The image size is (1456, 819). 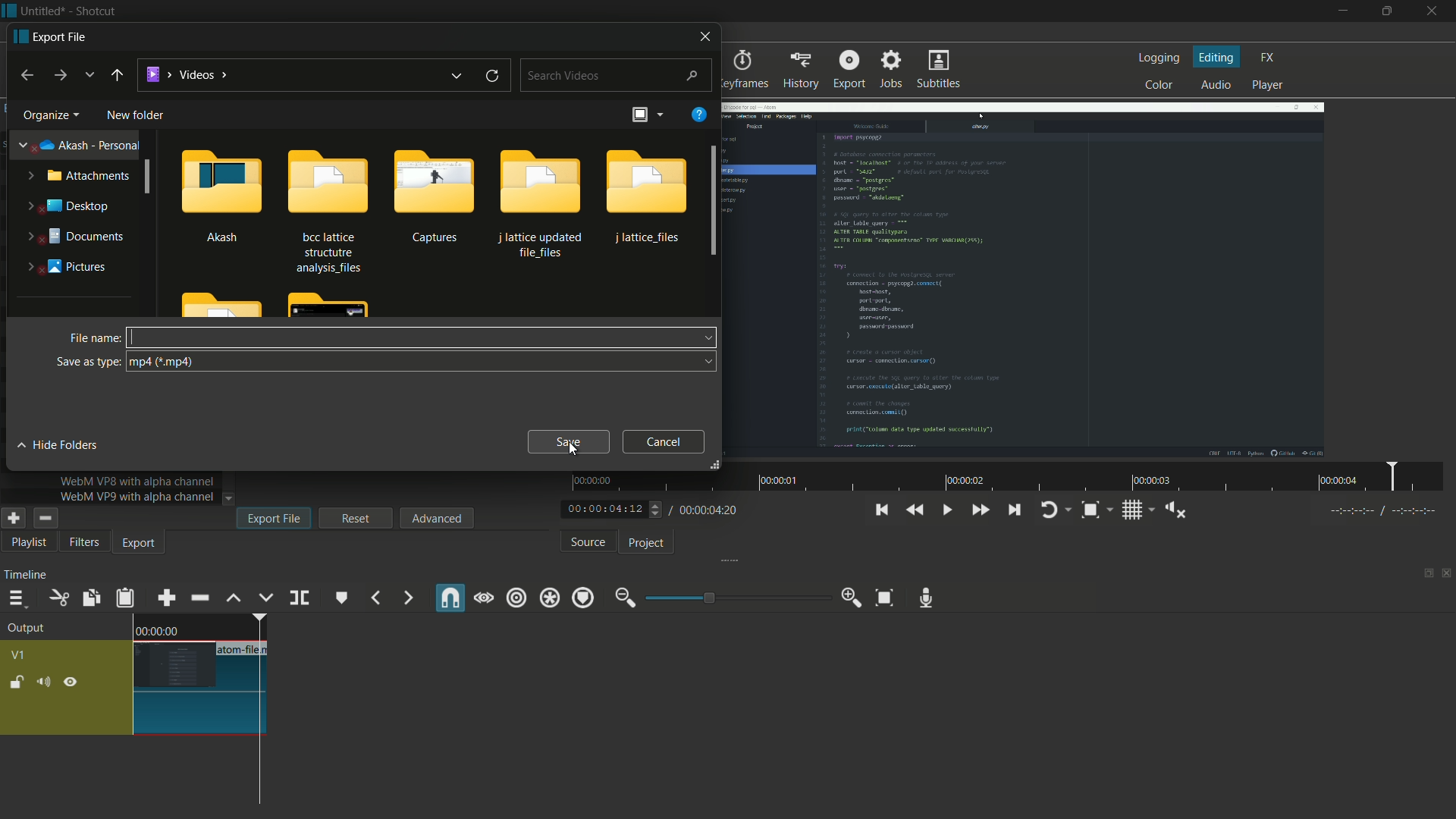 What do you see at coordinates (409, 598) in the screenshot?
I see `next marker` at bounding box center [409, 598].